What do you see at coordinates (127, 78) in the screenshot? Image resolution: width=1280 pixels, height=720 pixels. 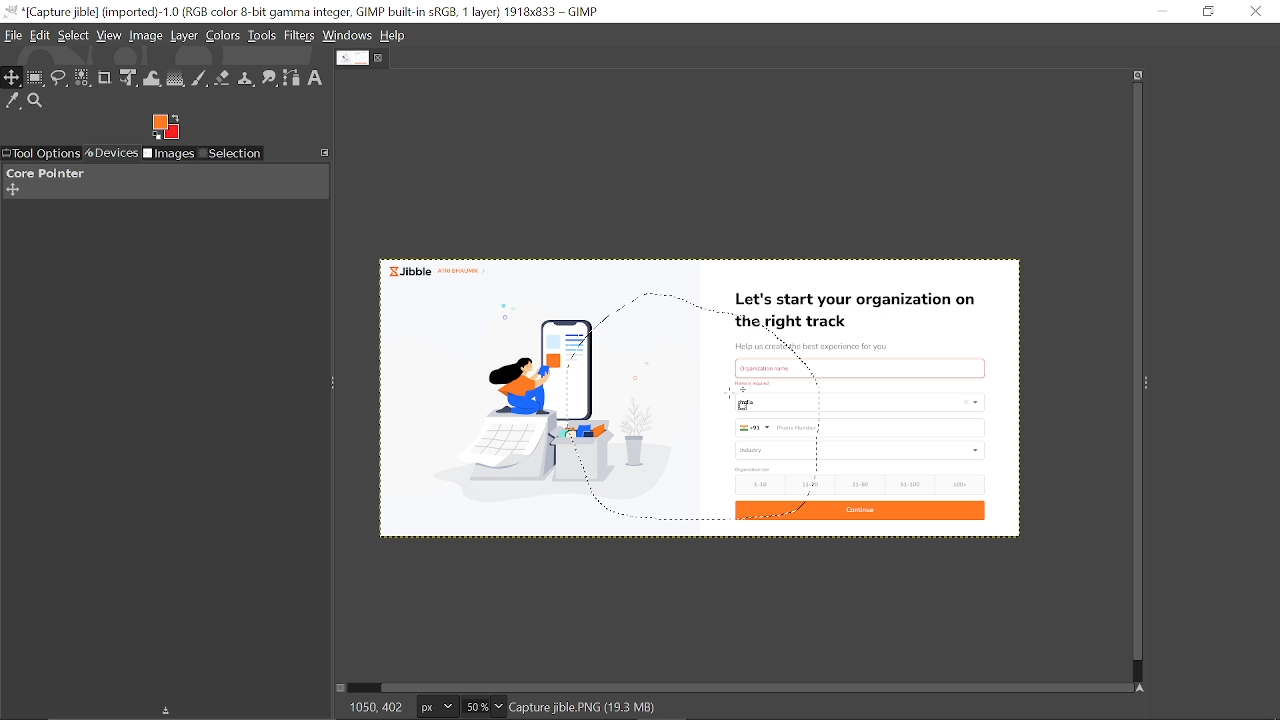 I see `Unified transform tool` at bounding box center [127, 78].